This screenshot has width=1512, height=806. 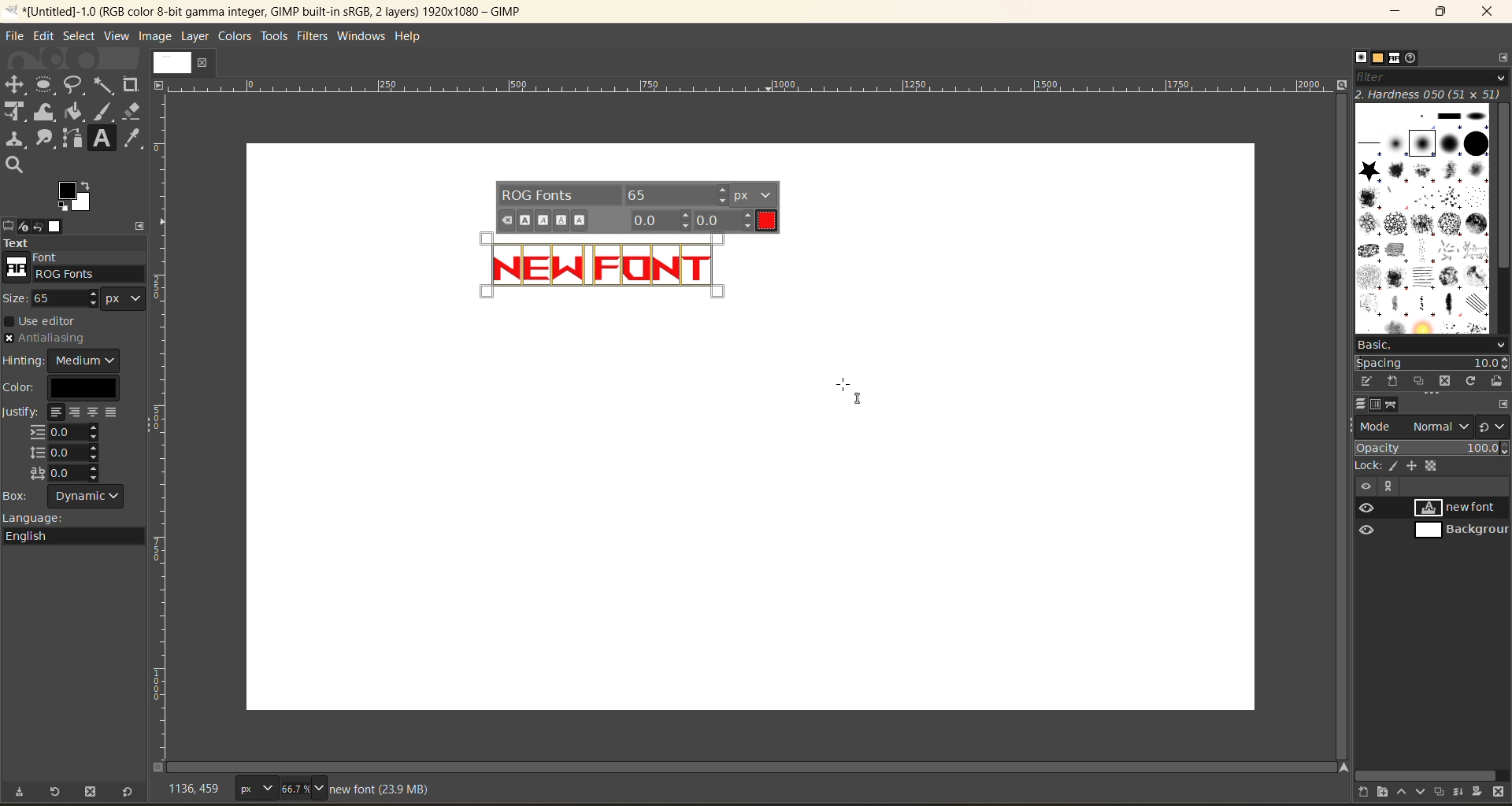 What do you see at coordinates (1388, 790) in the screenshot?
I see `create a new layer group` at bounding box center [1388, 790].